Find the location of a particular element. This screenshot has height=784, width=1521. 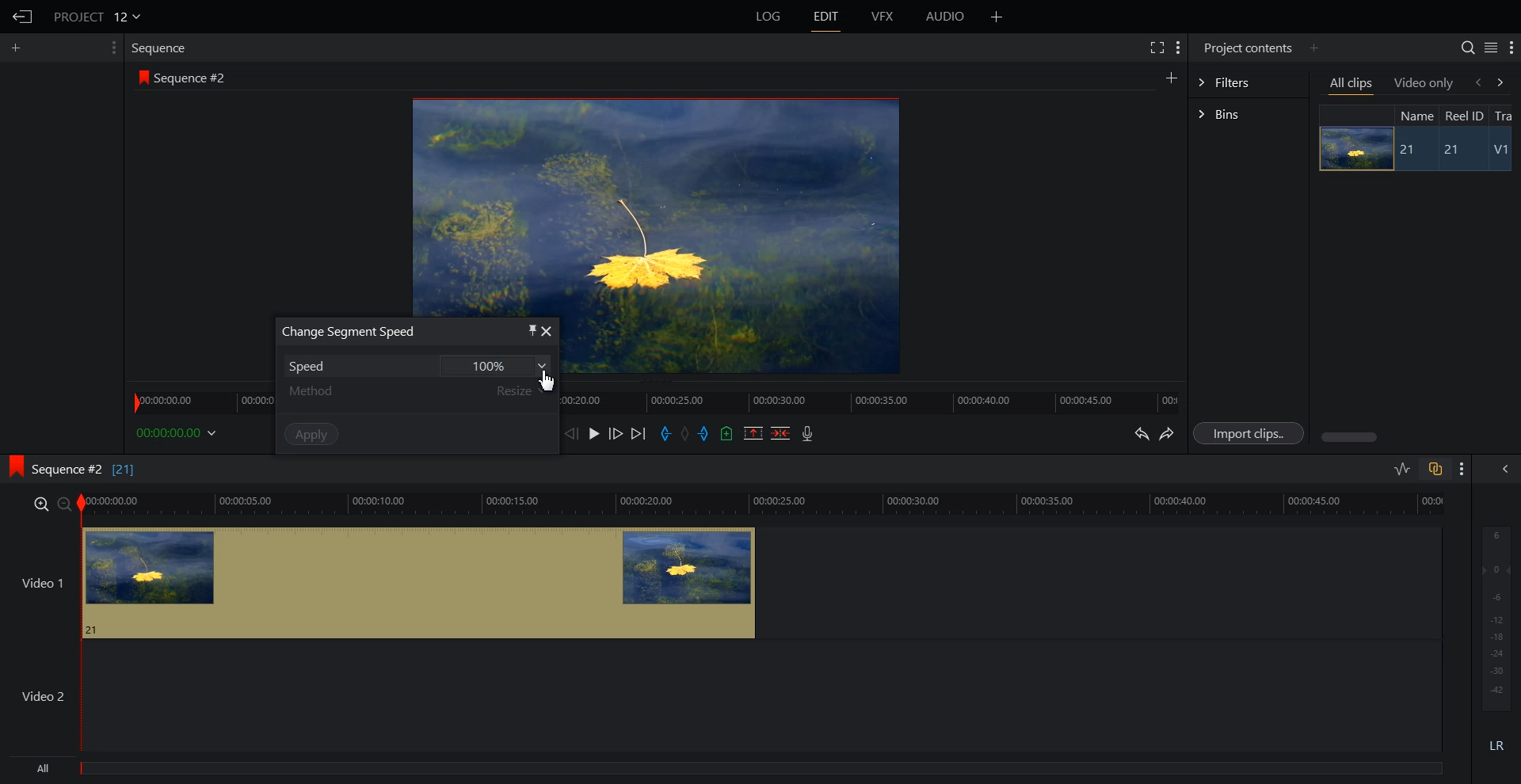

Redo is located at coordinates (1168, 434).